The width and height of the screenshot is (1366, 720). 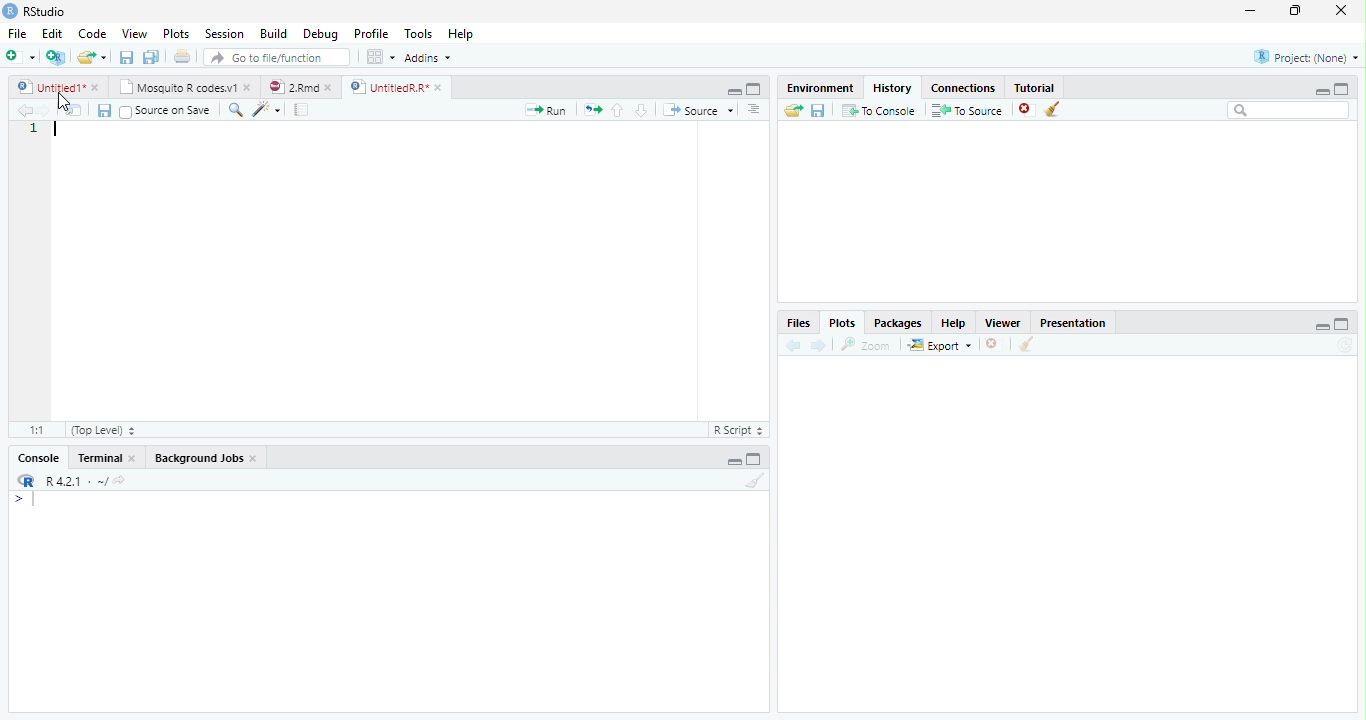 What do you see at coordinates (1342, 89) in the screenshot?
I see `Maximize` at bounding box center [1342, 89].